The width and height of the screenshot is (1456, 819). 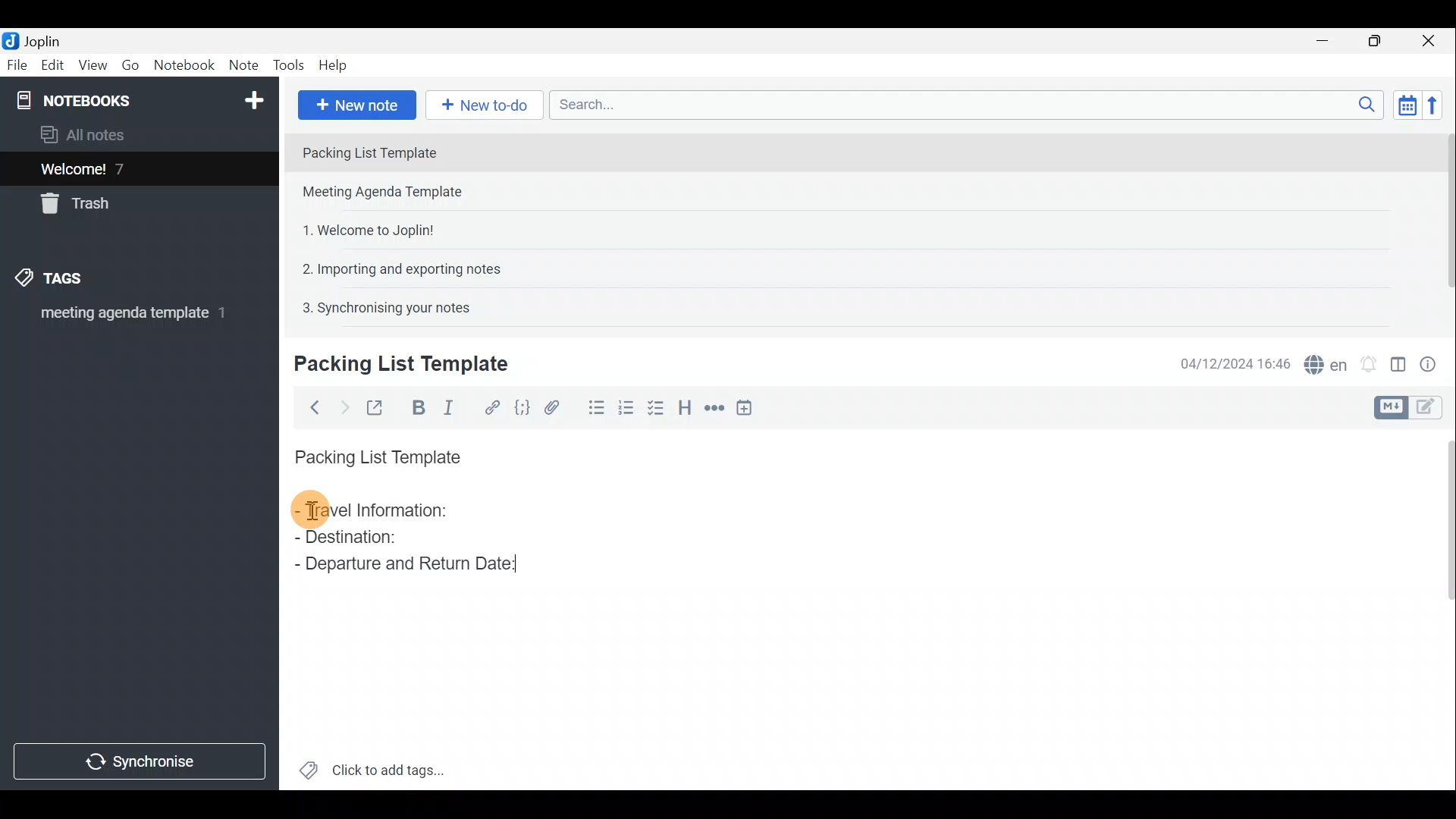 What do you see at coordinates (376, 406) in the screenshot?
I see `Toggle external editing` at bounding box center [376, 406].